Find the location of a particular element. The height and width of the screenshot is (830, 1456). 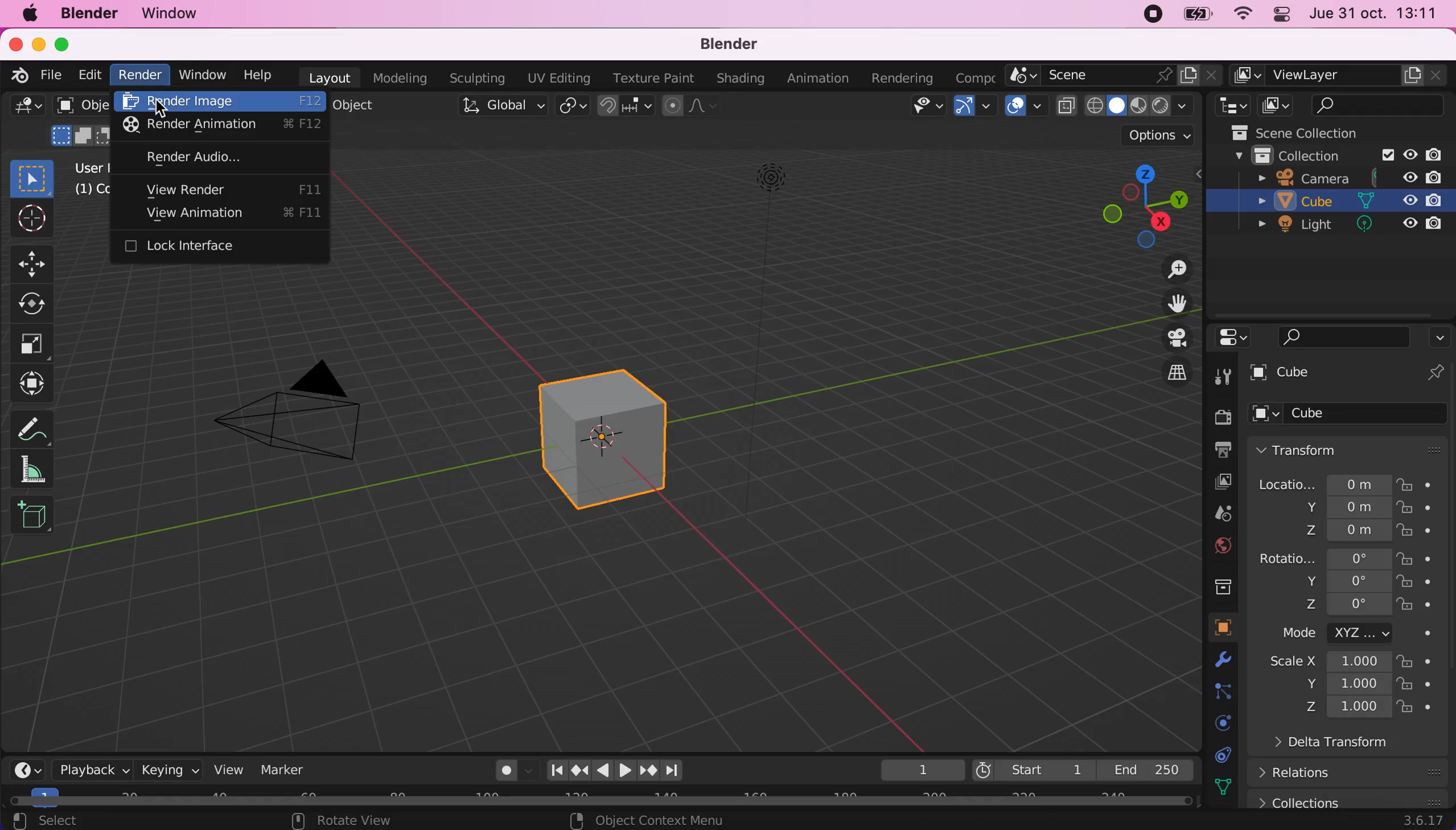

cube is located at coordinates (1336, 203).